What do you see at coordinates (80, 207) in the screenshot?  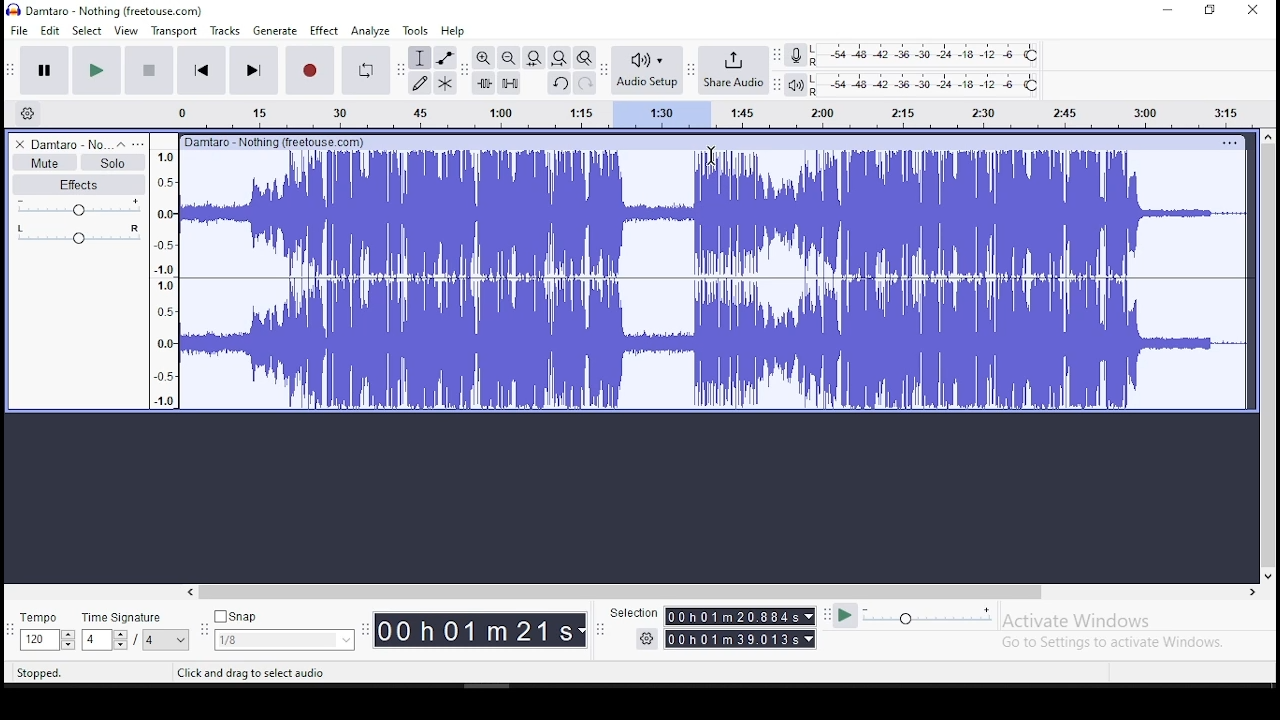 I see `volume` at bounding box center [80, 207].